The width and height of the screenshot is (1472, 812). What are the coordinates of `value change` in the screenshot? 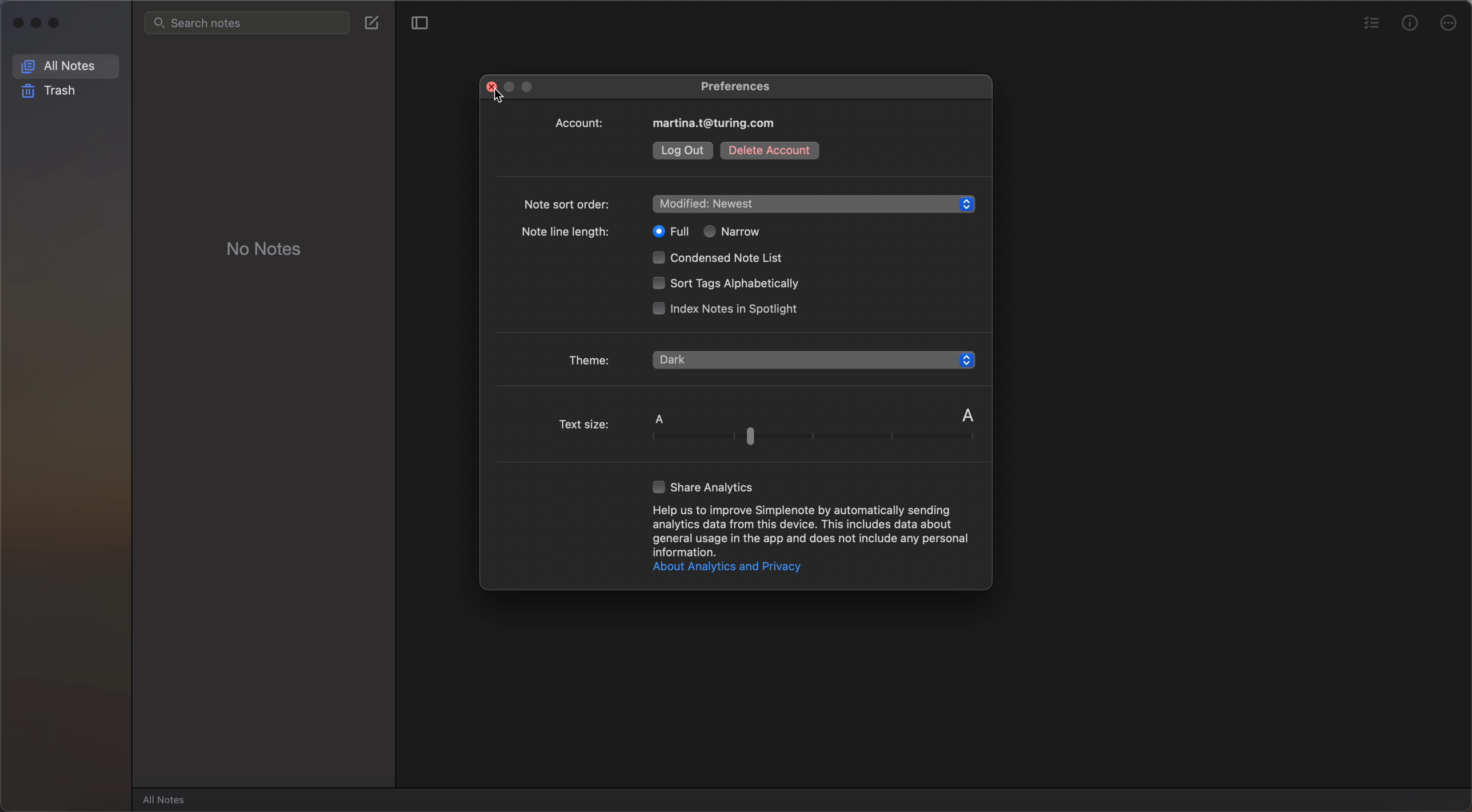 It's located at (962, 360).